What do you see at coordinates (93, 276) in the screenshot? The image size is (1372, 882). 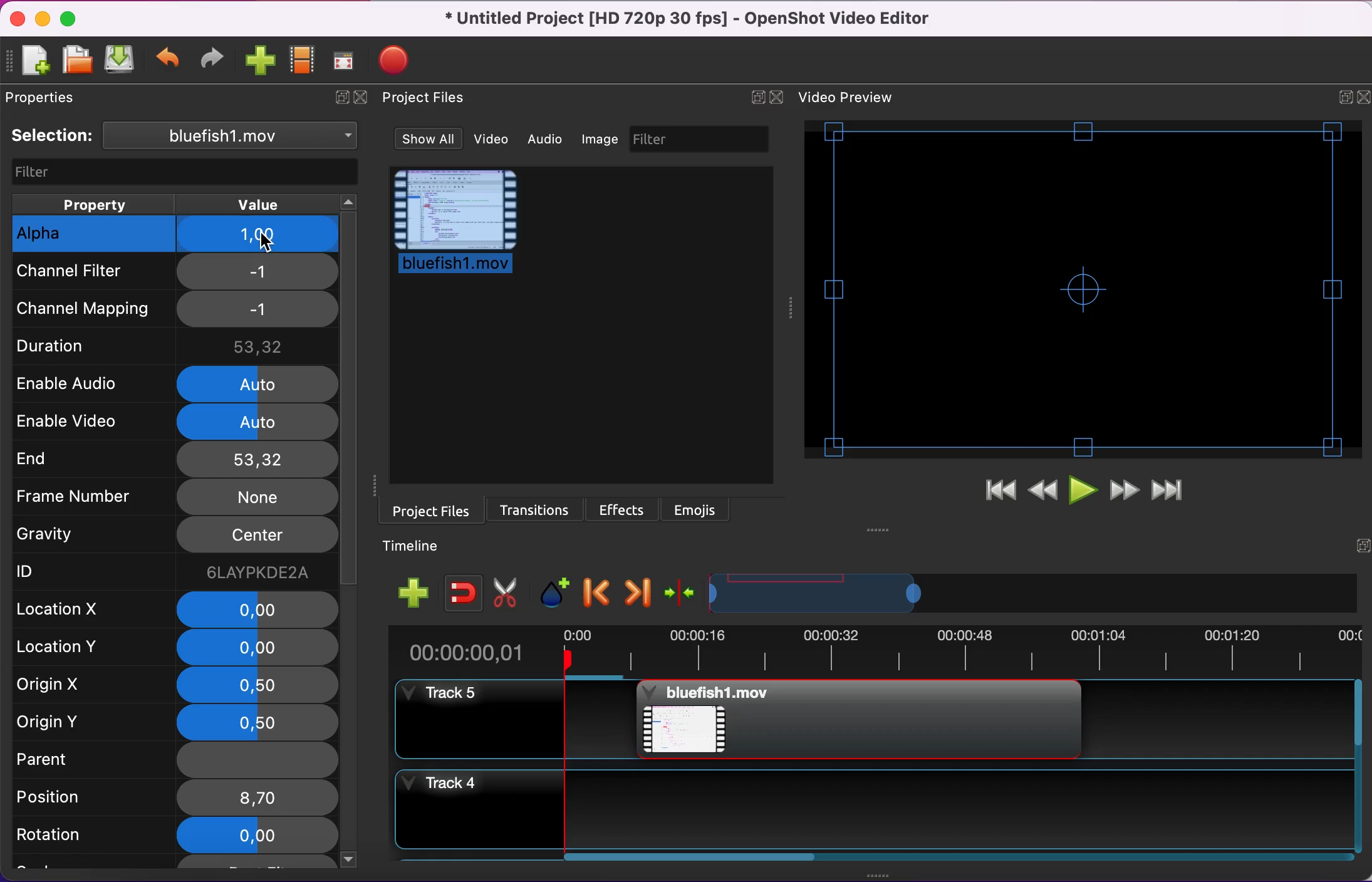 I see `channel filter` at bounding box center [93, 276].